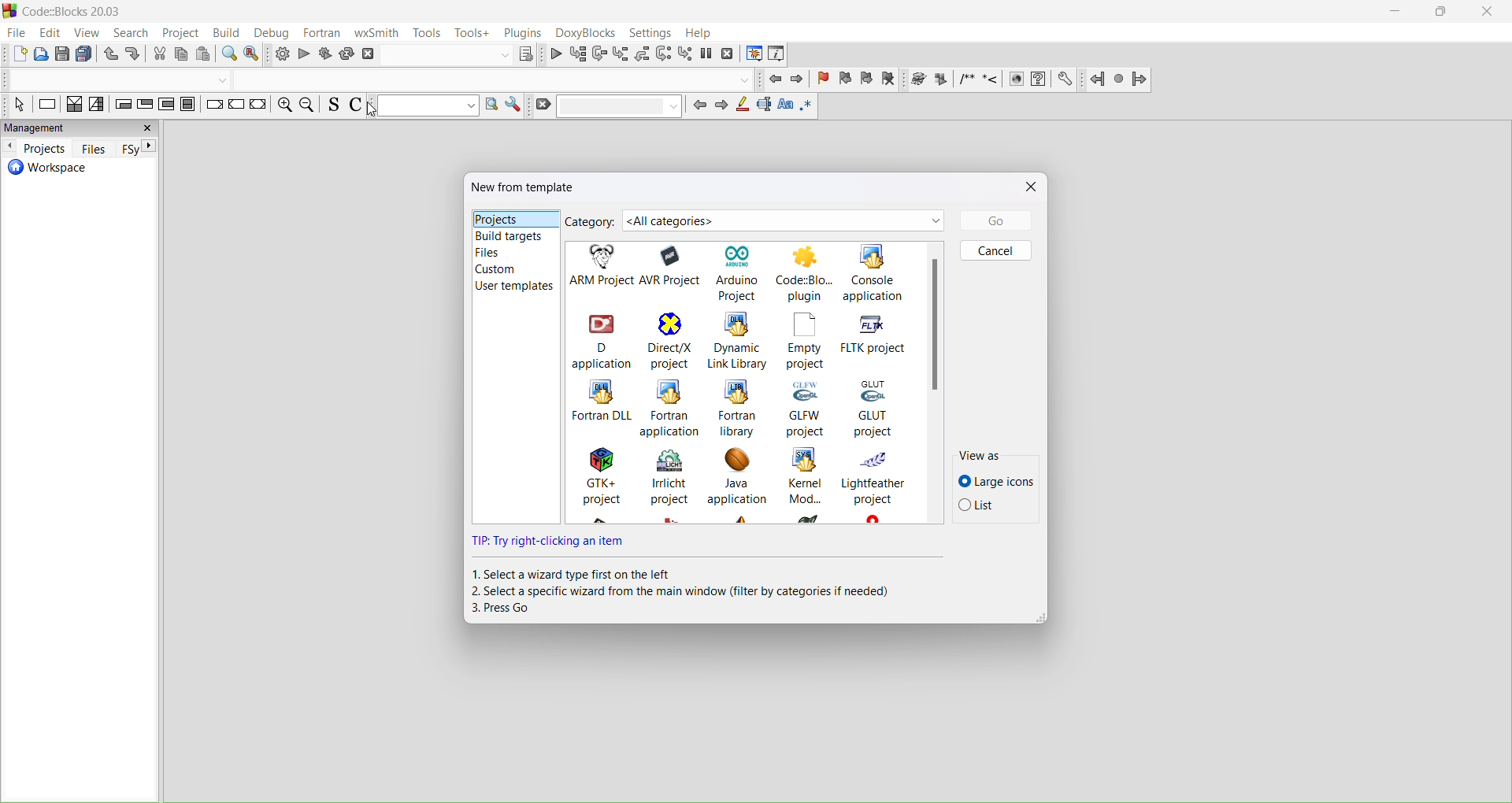 Image resolution: width=1512 pixels, height=803 pixels. I want to click on Insert comment block, so click(967, 80).